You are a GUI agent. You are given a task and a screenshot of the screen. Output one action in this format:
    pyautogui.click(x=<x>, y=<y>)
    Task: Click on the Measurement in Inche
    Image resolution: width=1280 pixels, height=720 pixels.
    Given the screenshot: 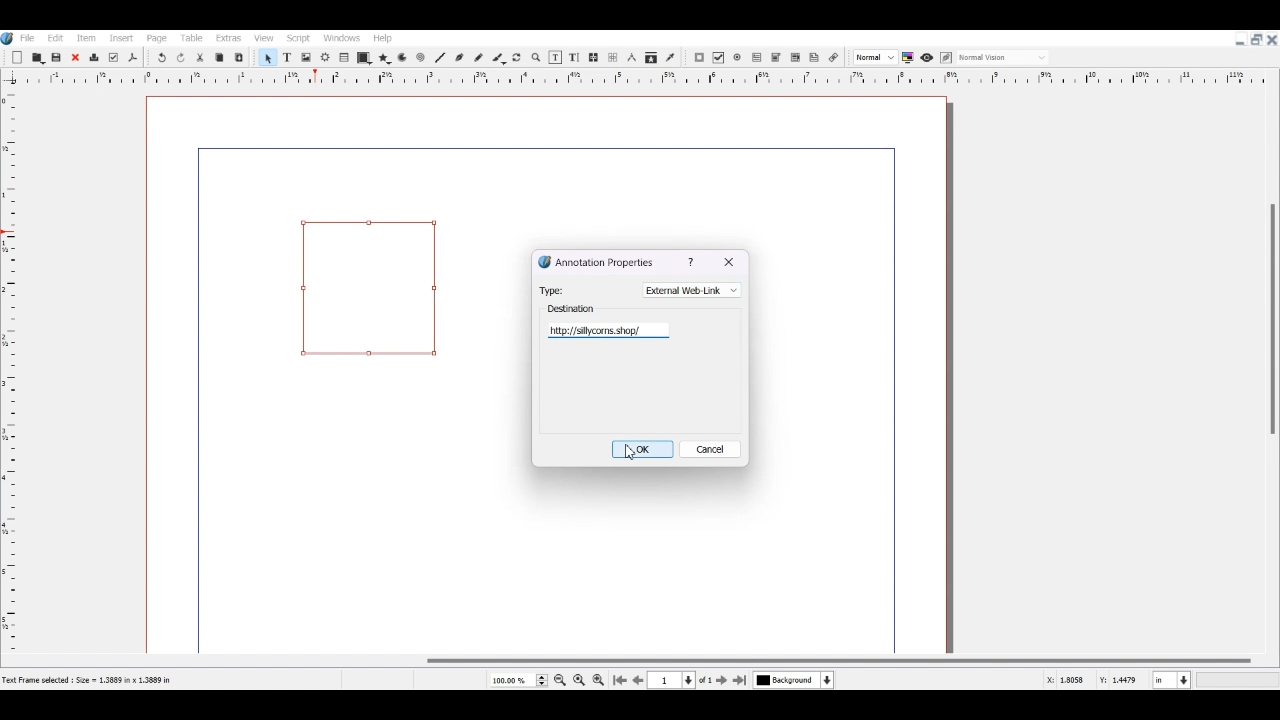 What is the action you would take?
    pyautogui.click(x=1172, y=680)
    